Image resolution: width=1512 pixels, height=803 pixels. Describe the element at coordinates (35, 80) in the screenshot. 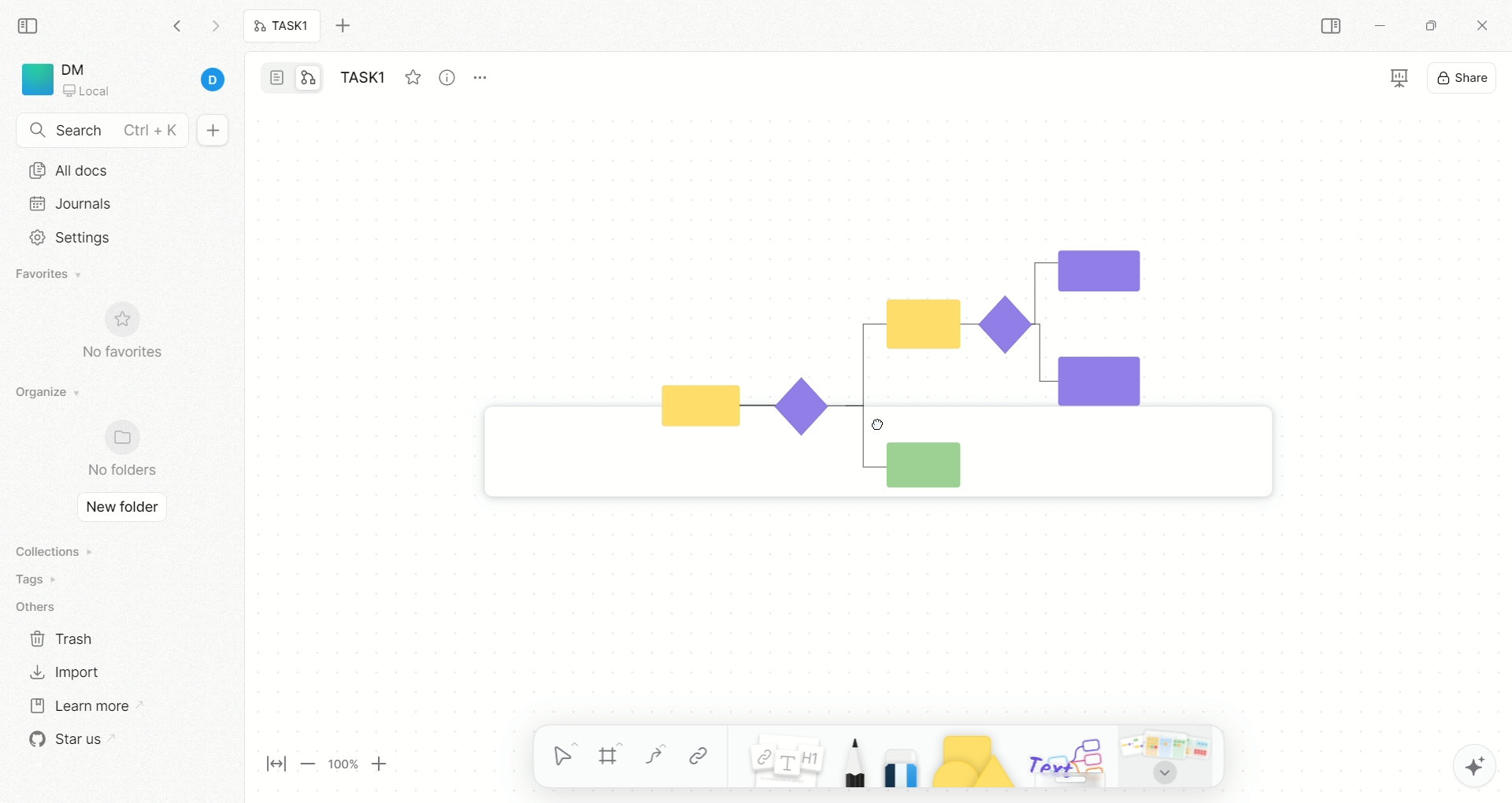

I see `logo` at that location.